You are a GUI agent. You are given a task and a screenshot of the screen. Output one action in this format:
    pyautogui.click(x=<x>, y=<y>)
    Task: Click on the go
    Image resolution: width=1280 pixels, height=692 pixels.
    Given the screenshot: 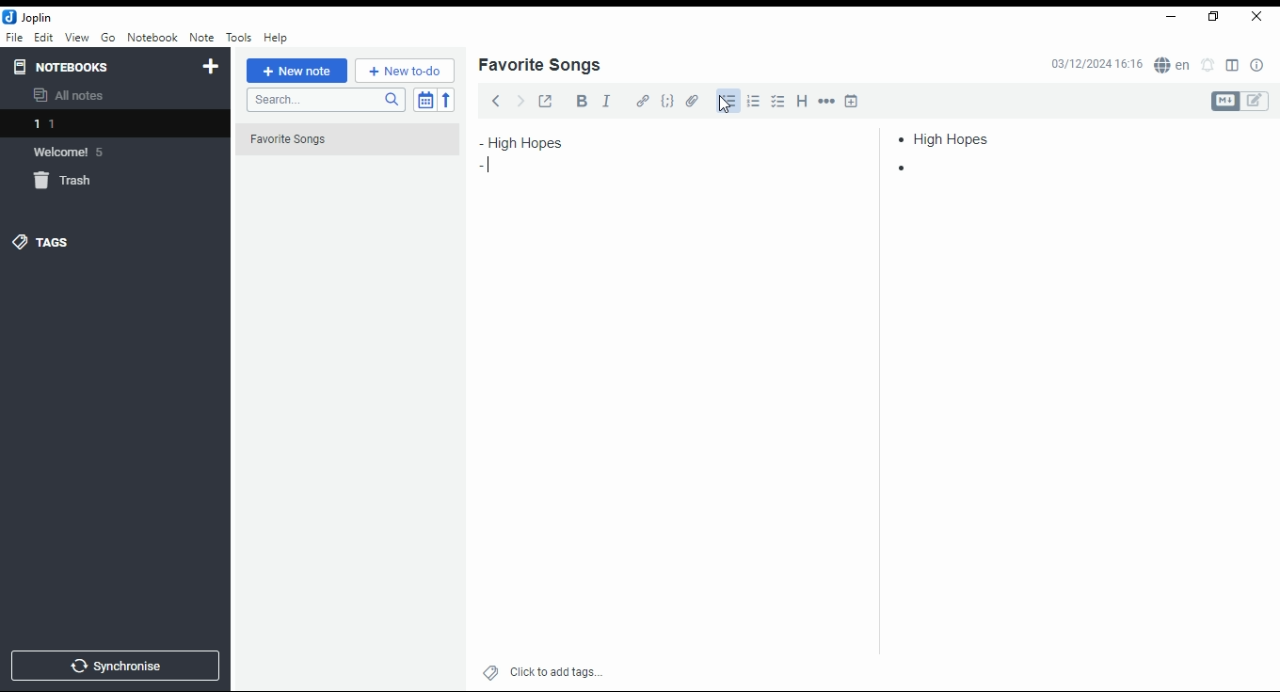 What is the action you would take?
    pyautogui.click(x=110, y=40)
    